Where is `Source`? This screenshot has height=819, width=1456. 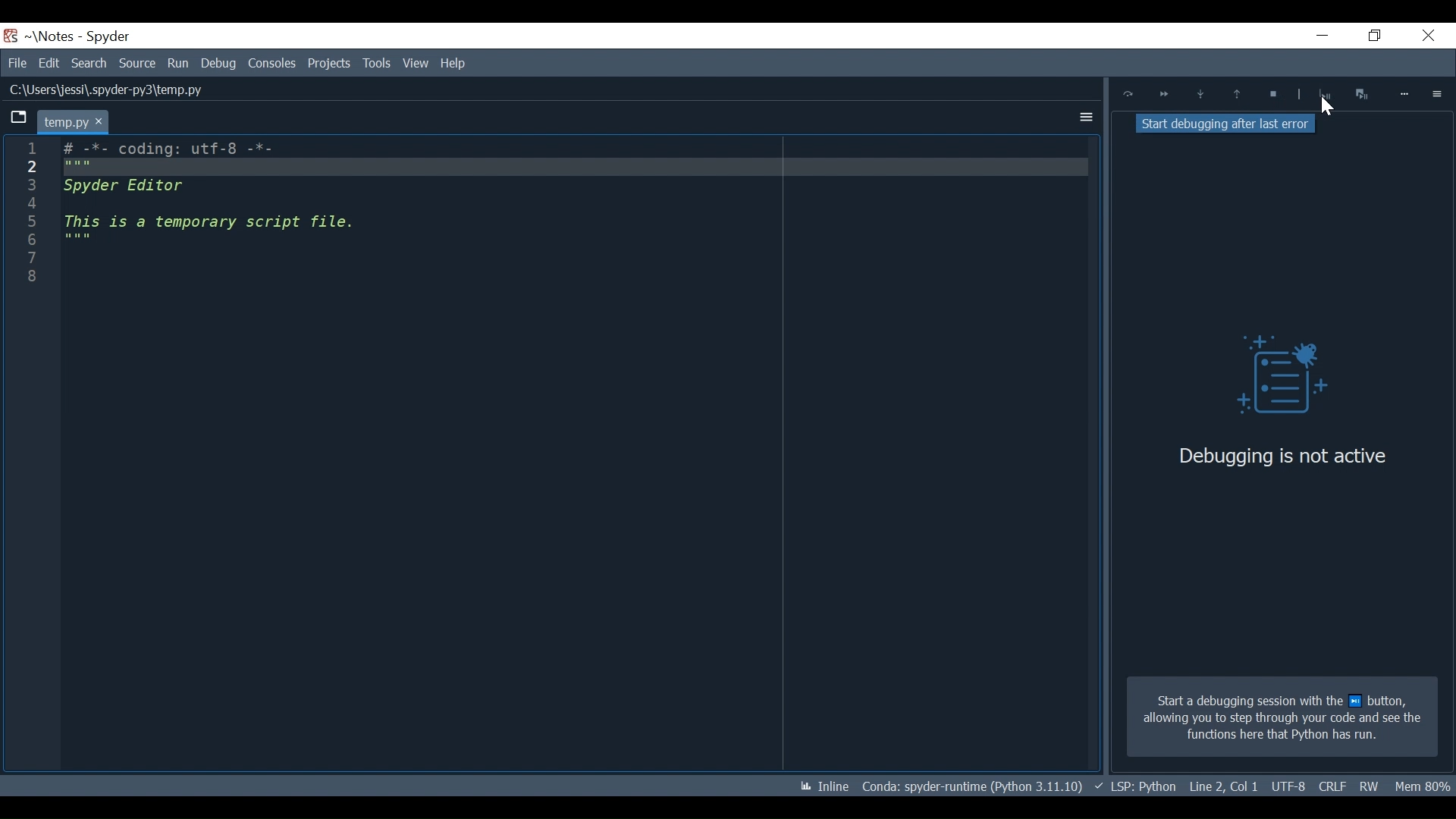 Source is located at coordinates (138, 64).